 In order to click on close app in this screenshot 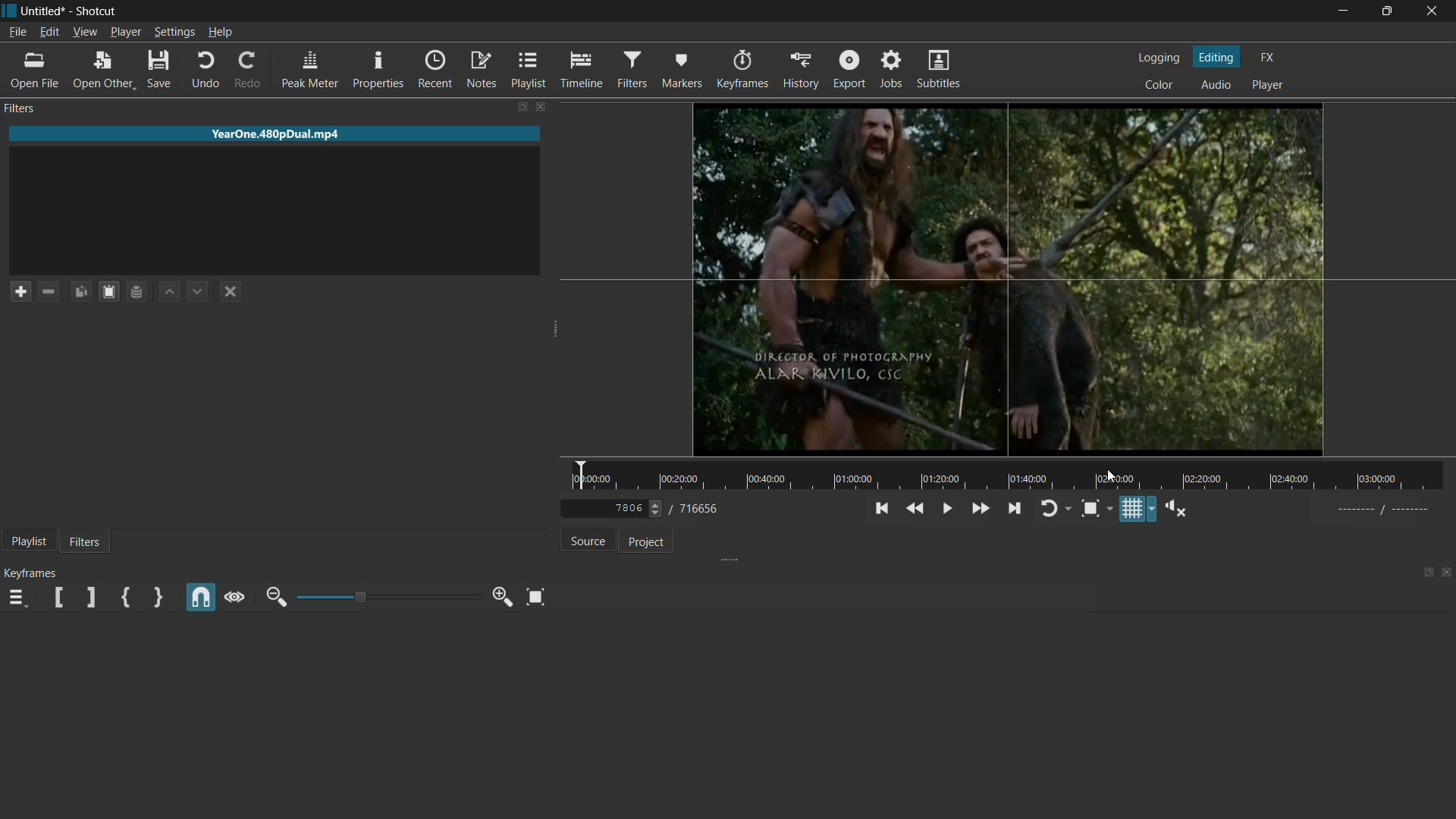, I will do `click(1438, 11)`.